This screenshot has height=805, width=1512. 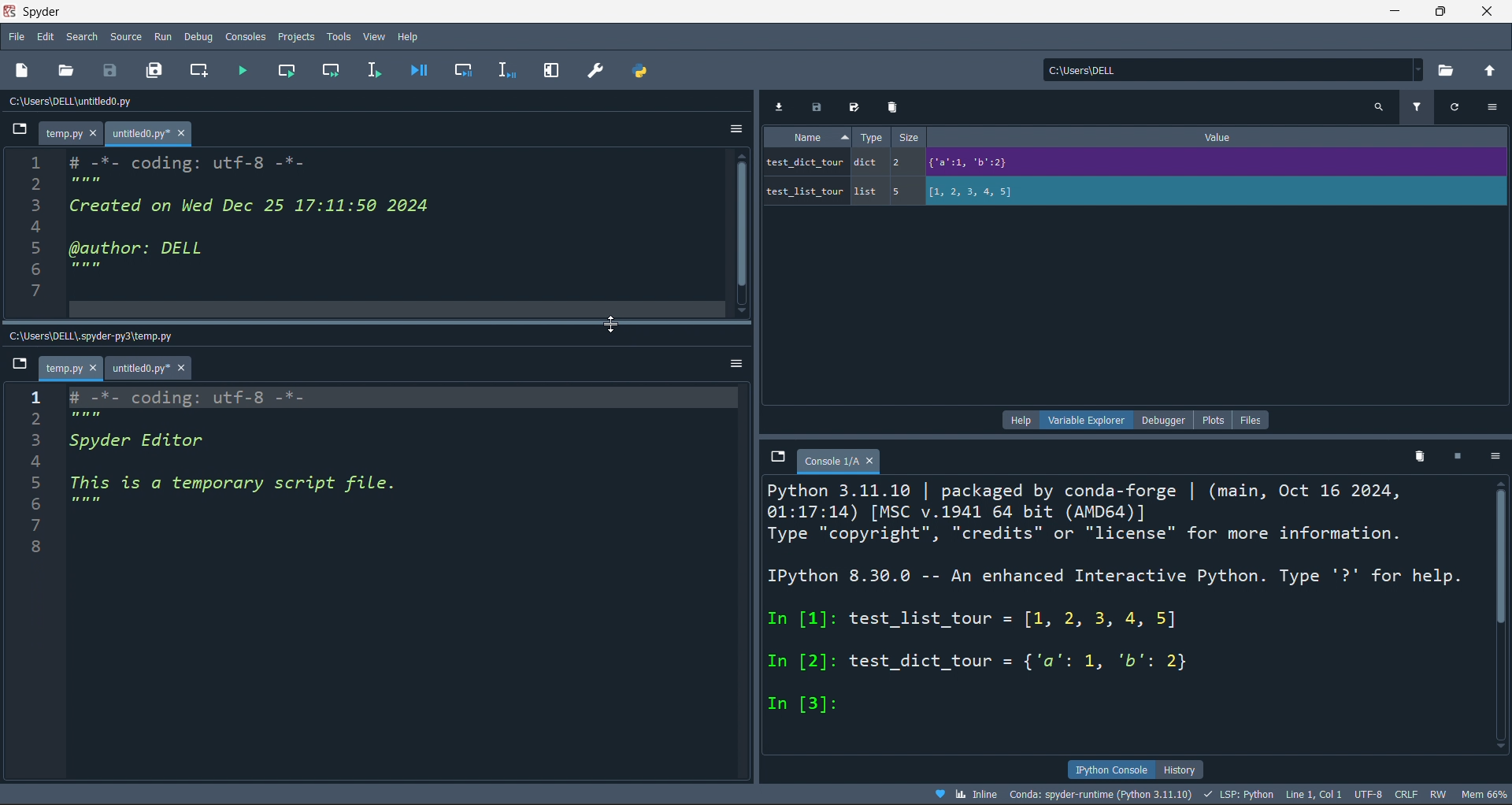 What do you see at coordinates (83, 269) in the screenshot?
I see `6 '''''''` at bounding box center [83, 269].